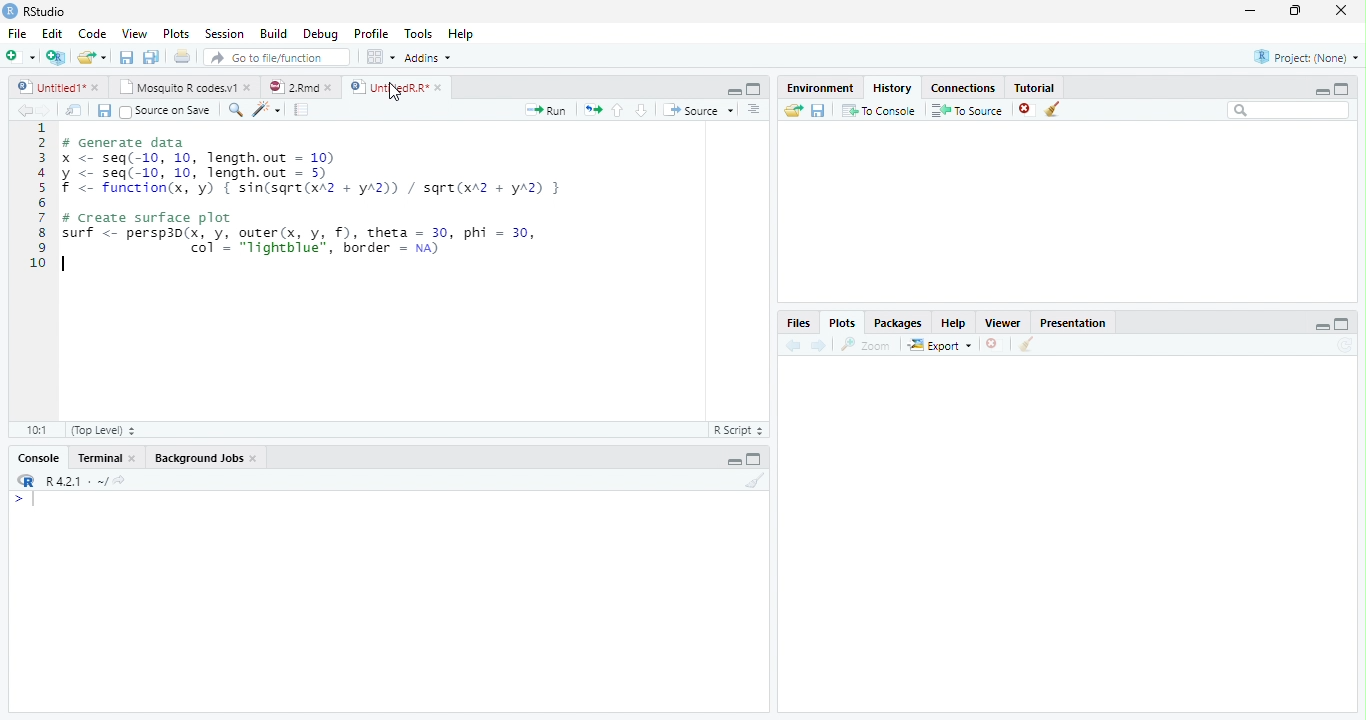 This screenshot has width=1366, height=720. What do you see at coordinates (150, 56) in the screenshot?
I see `Save all open documents` at bounding box center [150, 56].